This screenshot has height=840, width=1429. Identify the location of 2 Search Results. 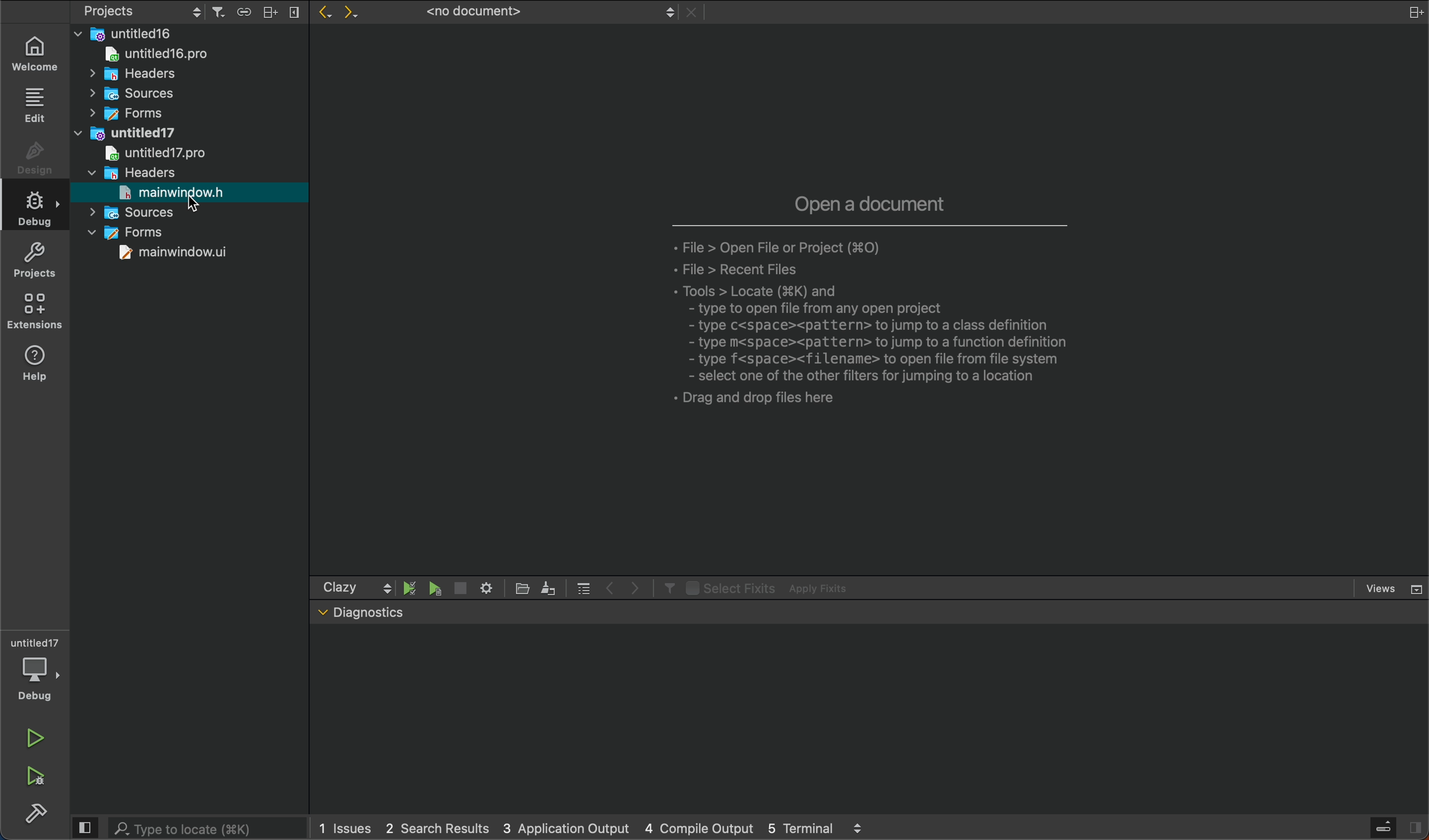
(434, 827).